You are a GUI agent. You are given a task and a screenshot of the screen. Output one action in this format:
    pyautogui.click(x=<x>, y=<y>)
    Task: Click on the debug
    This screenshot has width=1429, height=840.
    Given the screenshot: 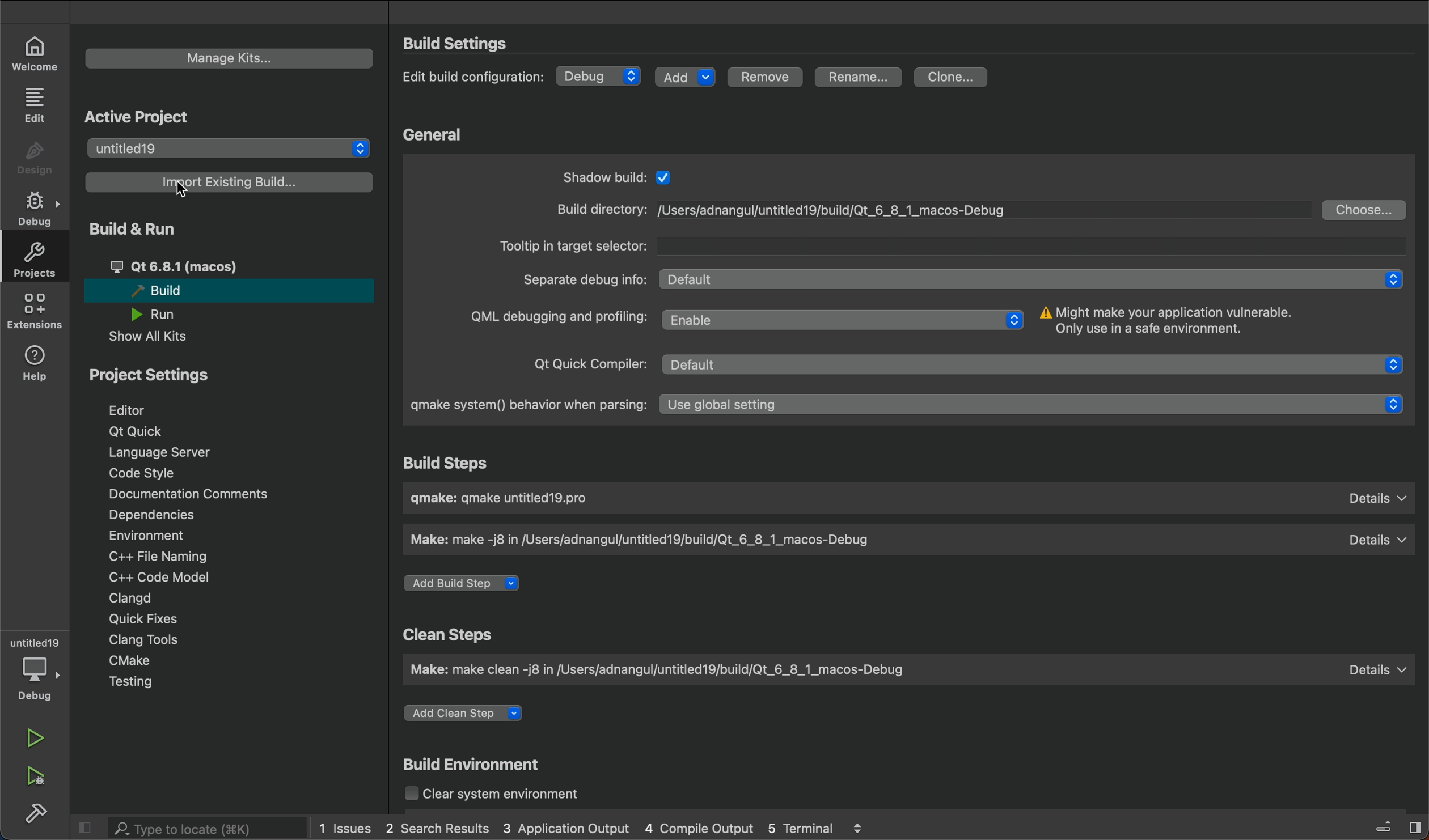 What is the action you would take?
    pyautogui.click(x=599, y=75)
    